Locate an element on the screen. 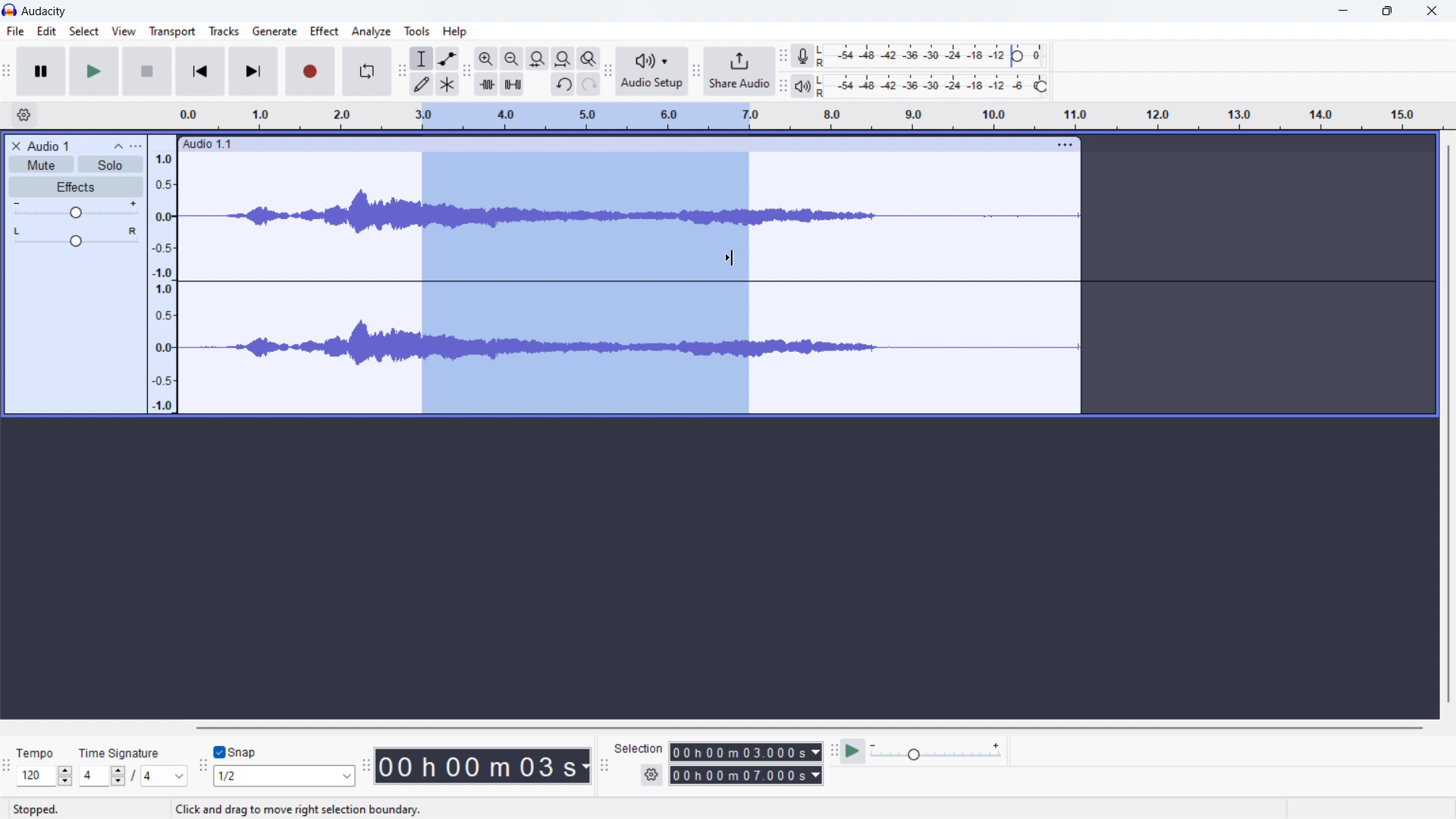 This screenshot has height=819, width=1456. play-at-speed toolbar is located at coordinates (835, 750).